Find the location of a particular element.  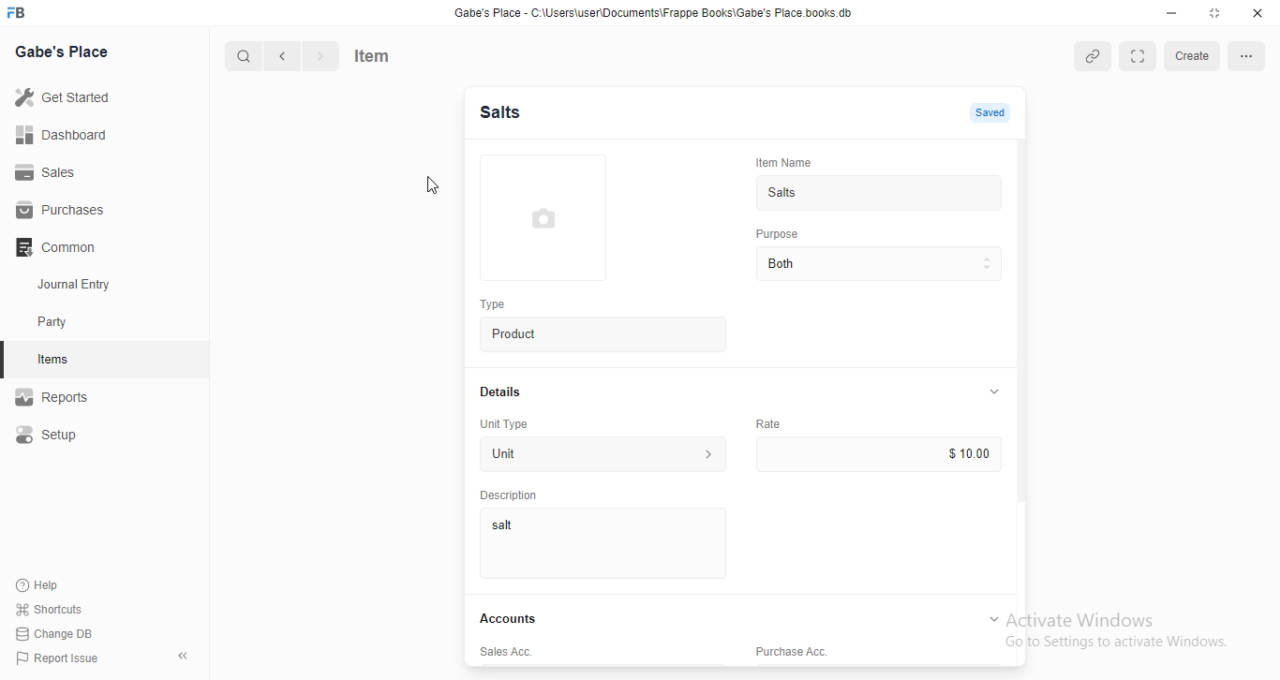

$ 10.00 is located at coordinates (974, 454).